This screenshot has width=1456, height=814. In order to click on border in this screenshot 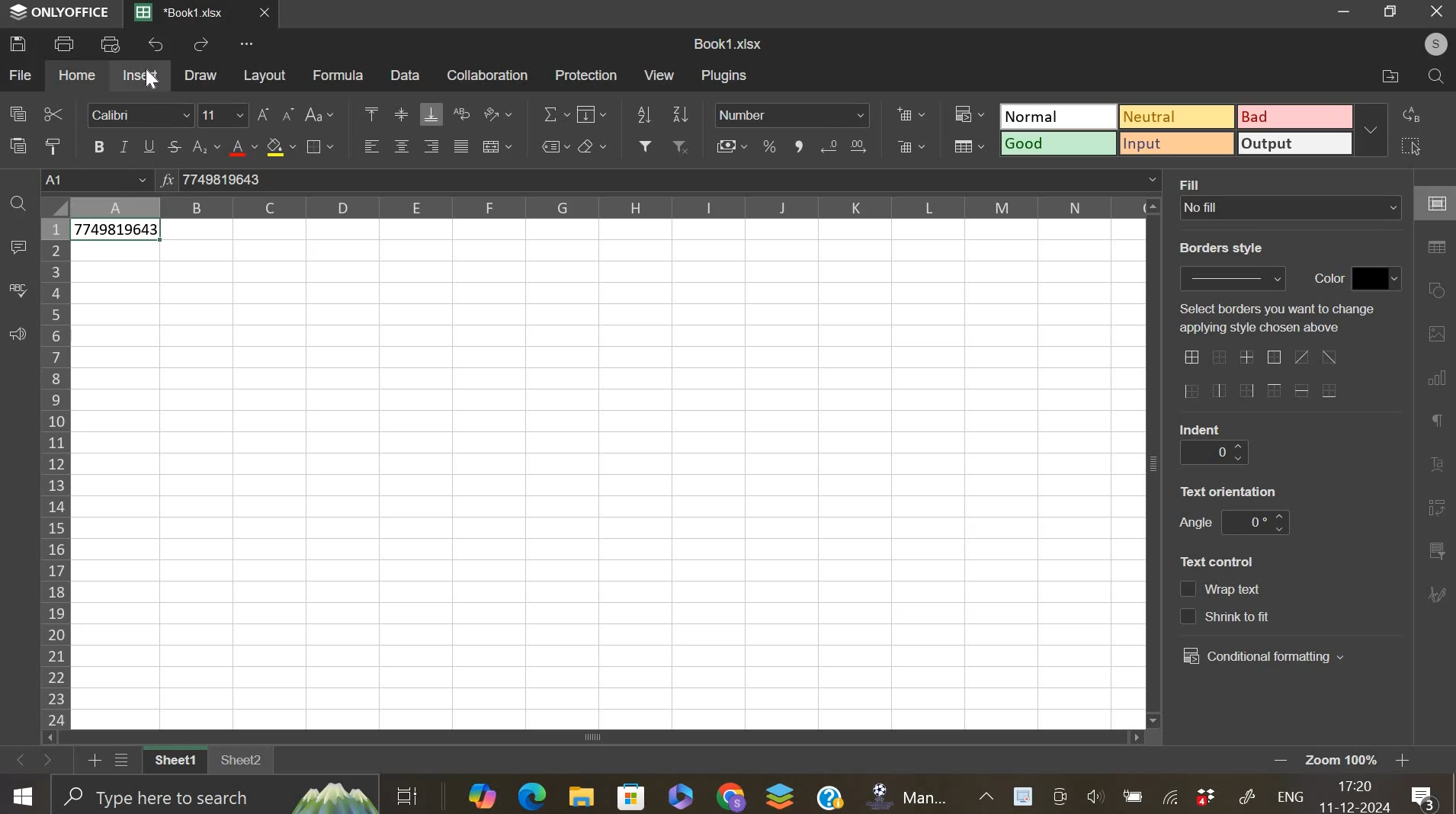, I will do `click(318, 149)`.